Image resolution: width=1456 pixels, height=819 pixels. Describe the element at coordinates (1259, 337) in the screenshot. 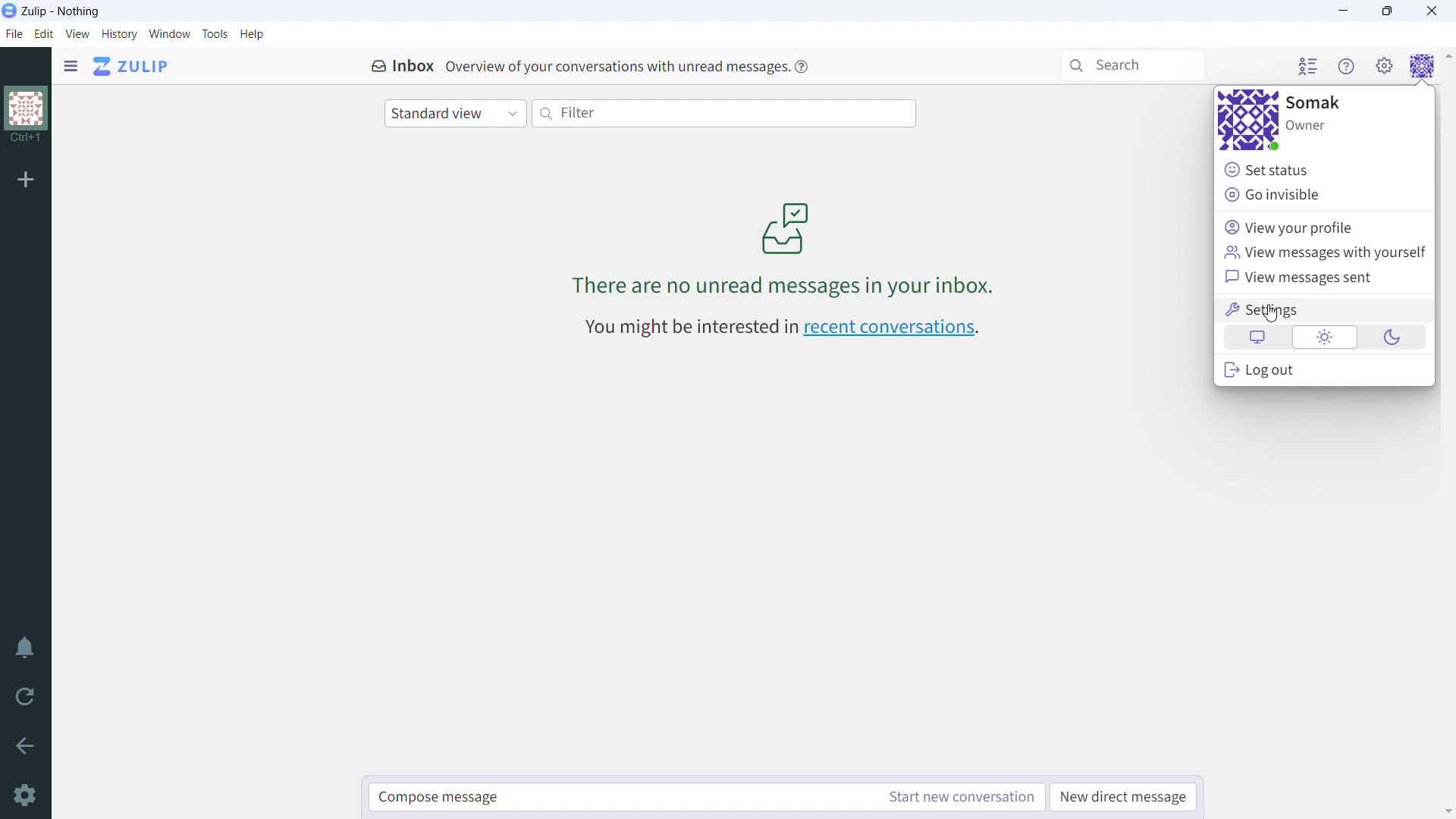

I see `automatic theme` at that location.